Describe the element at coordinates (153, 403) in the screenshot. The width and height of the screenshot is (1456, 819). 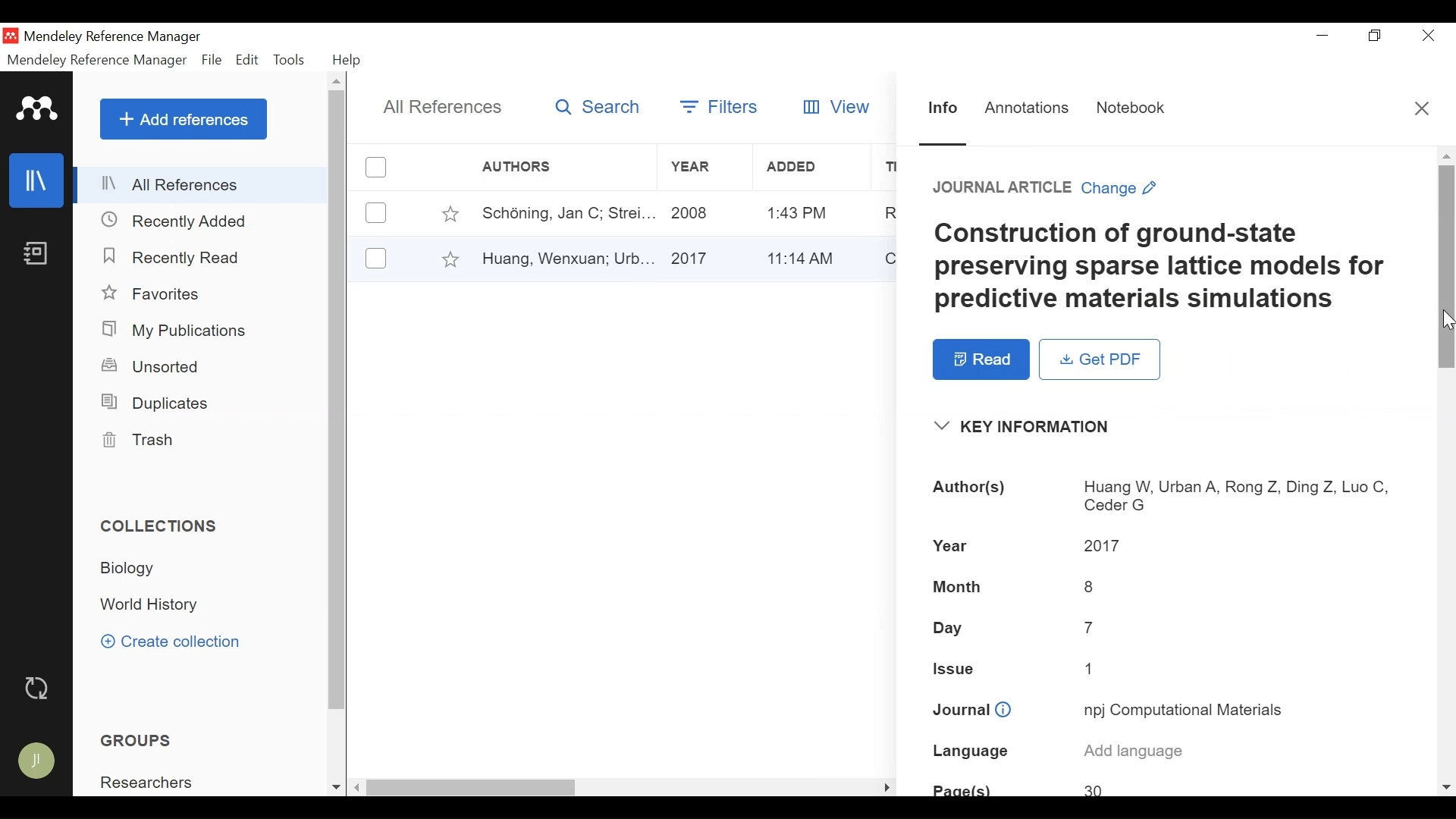
I see `Duplicates` at that location.